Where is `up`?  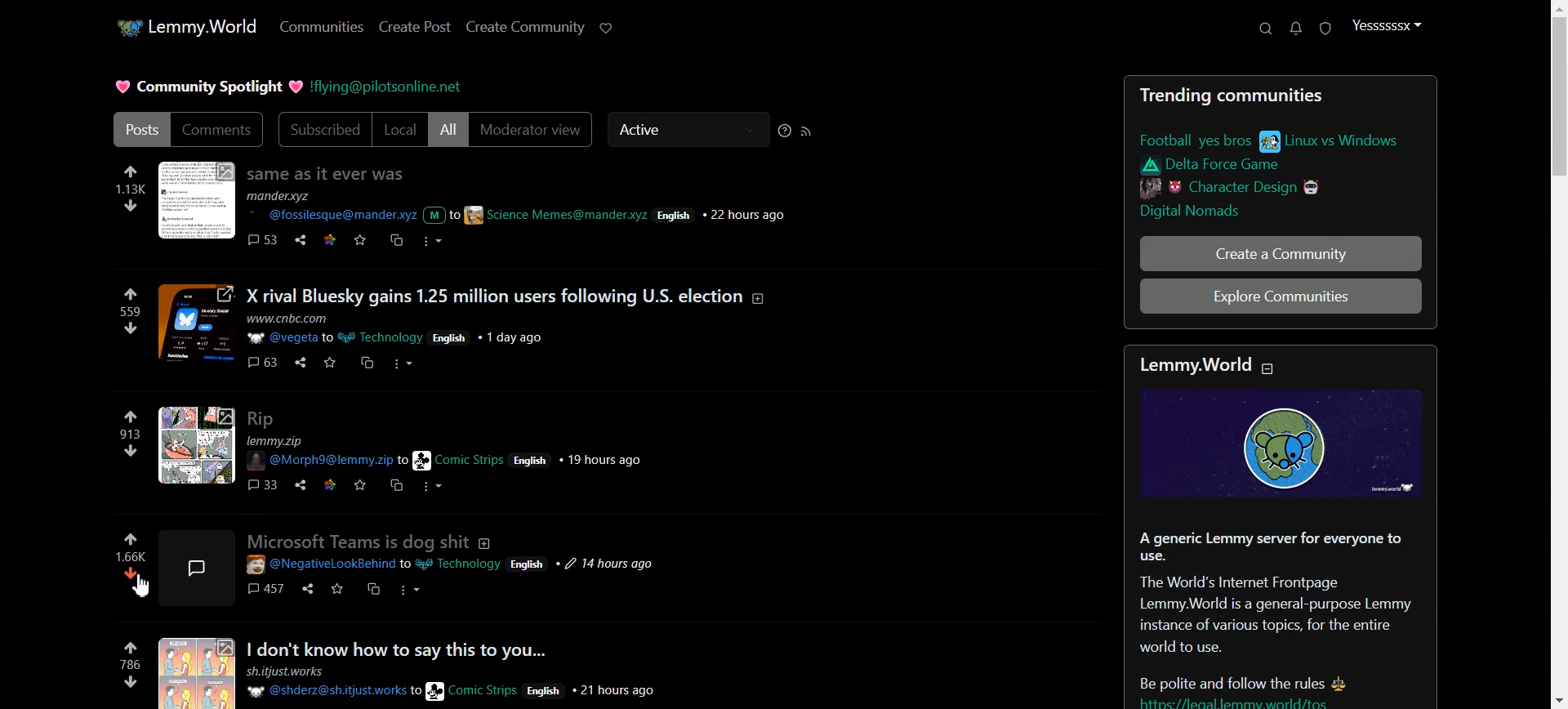 up is located at coordinates (129, 649).